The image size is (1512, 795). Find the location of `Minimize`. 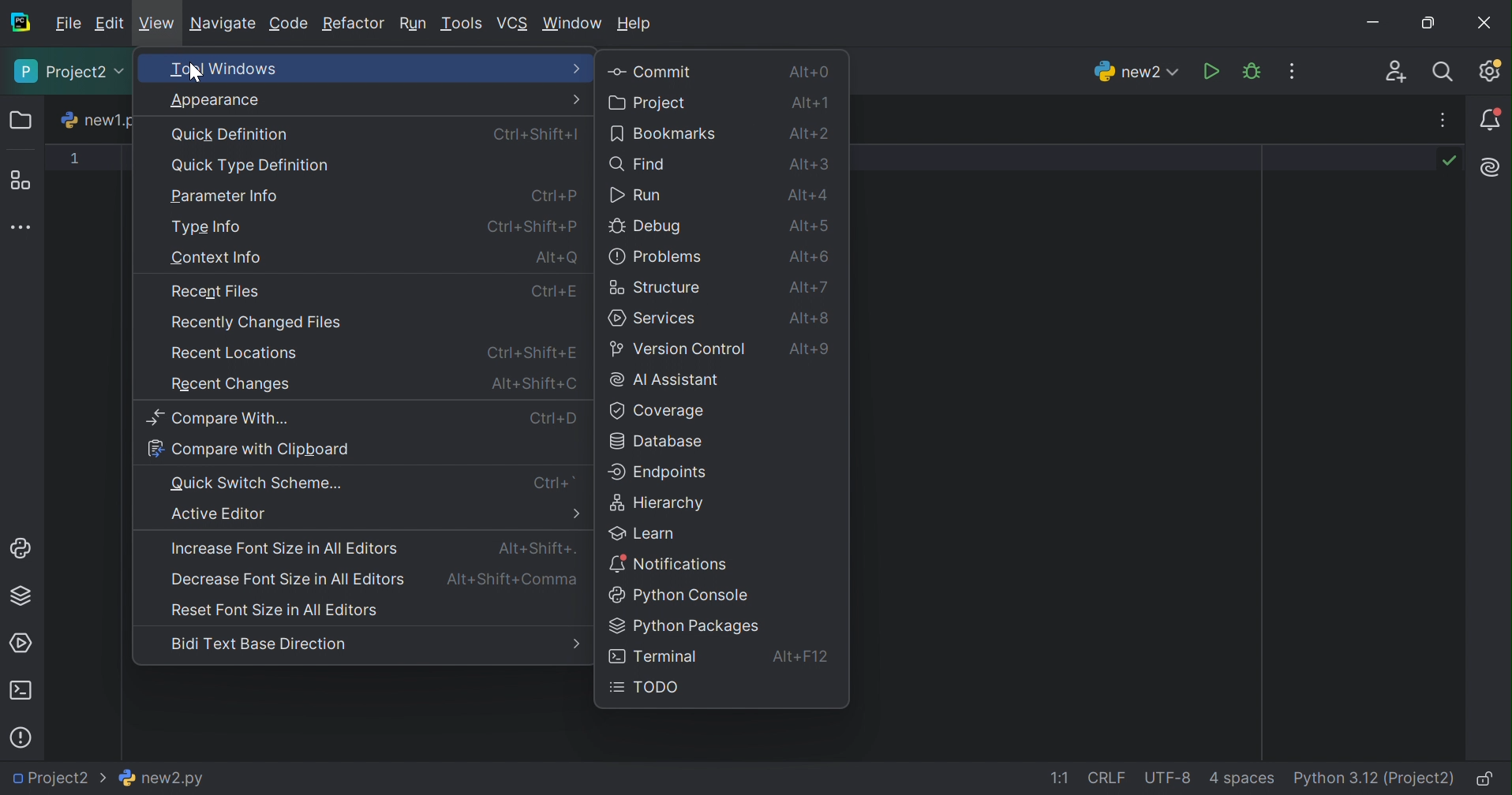

Minimize is located at coordinates (1381, 23).